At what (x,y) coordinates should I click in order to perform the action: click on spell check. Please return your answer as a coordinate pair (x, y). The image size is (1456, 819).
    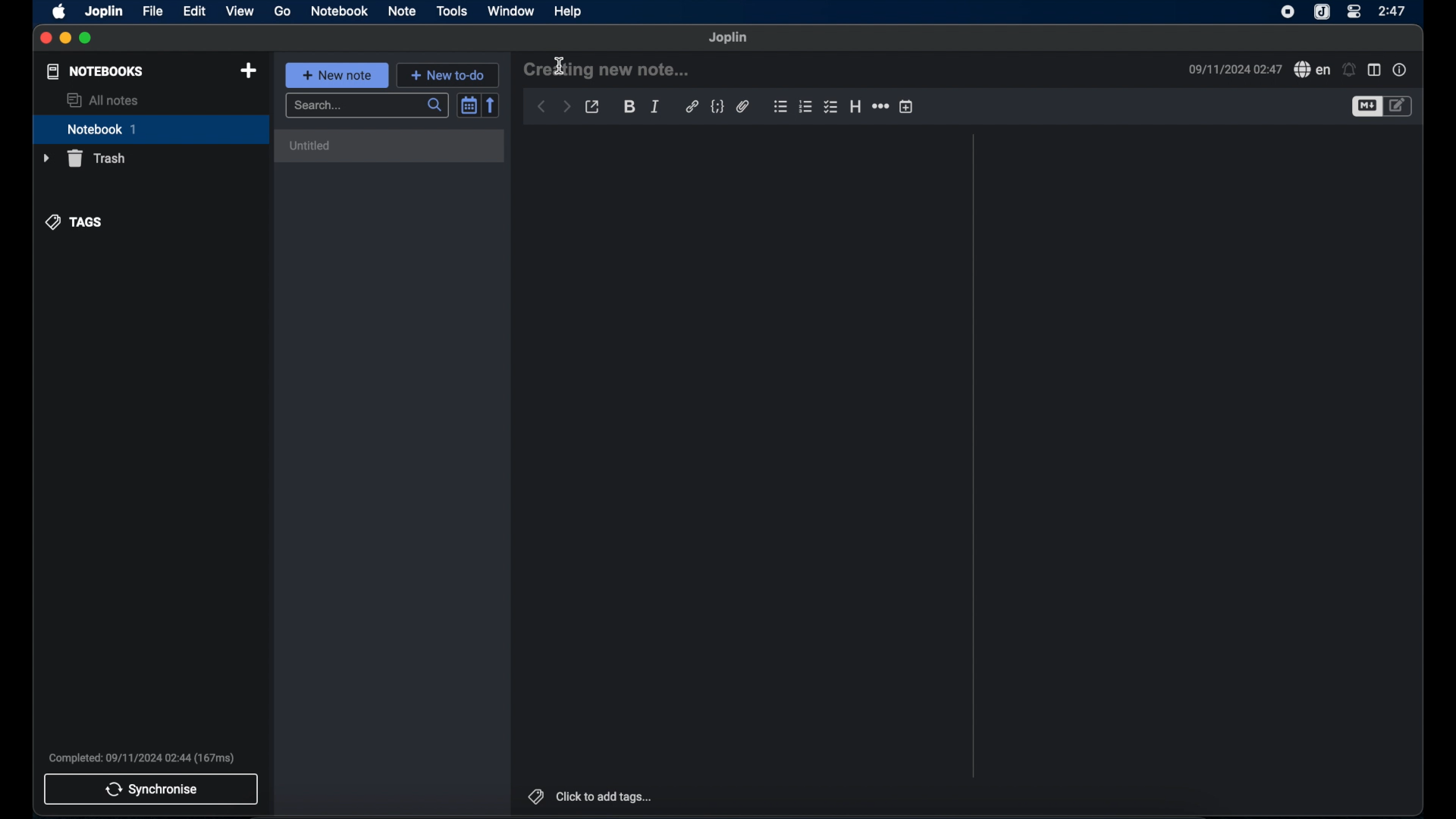
    Looking at the image, I should click on (1311, 69).